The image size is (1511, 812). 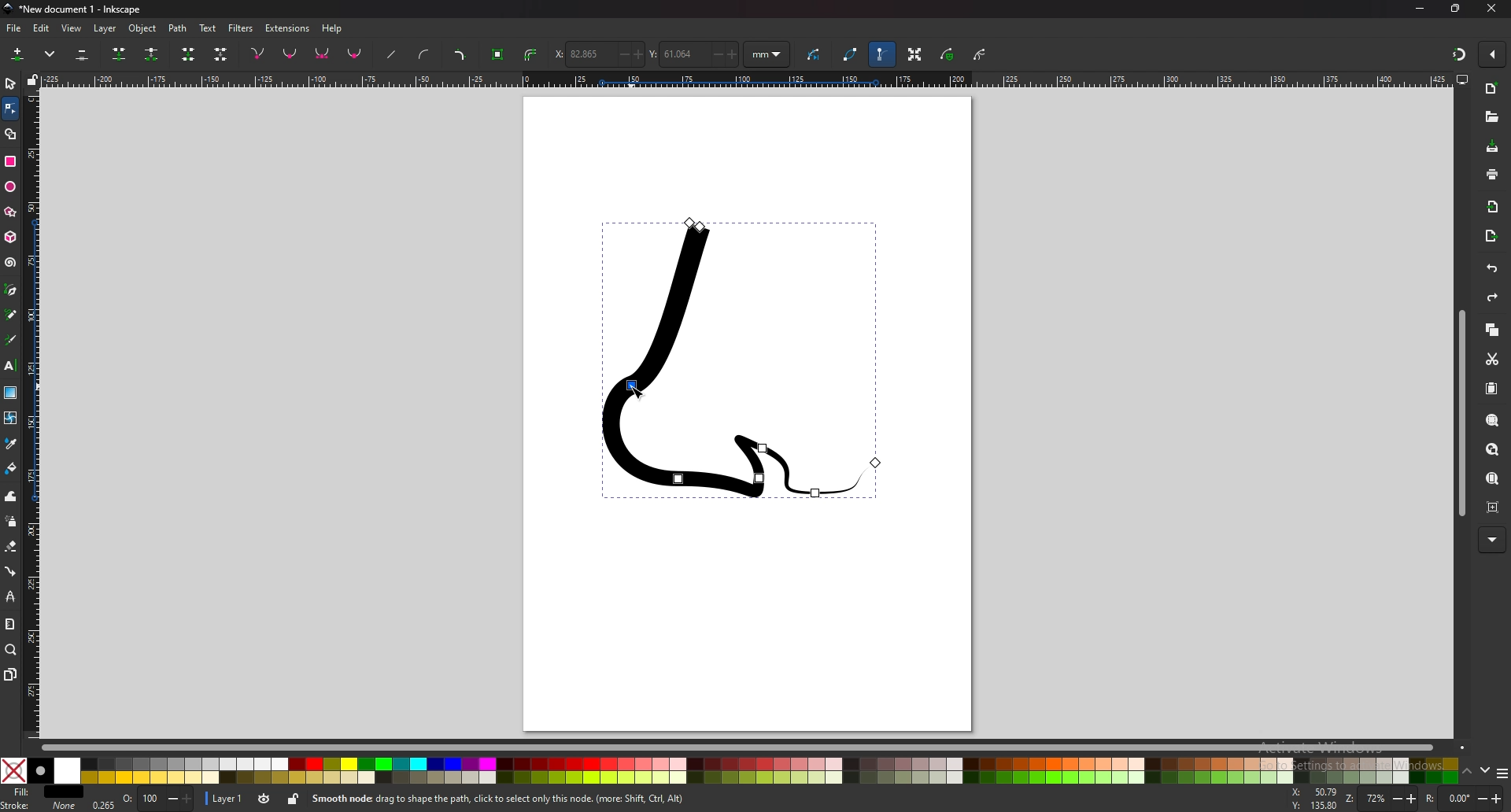 What do you see at coordinates (290, 55) in the screenshot?
I see `smooth` at bounding box center [290, 55].